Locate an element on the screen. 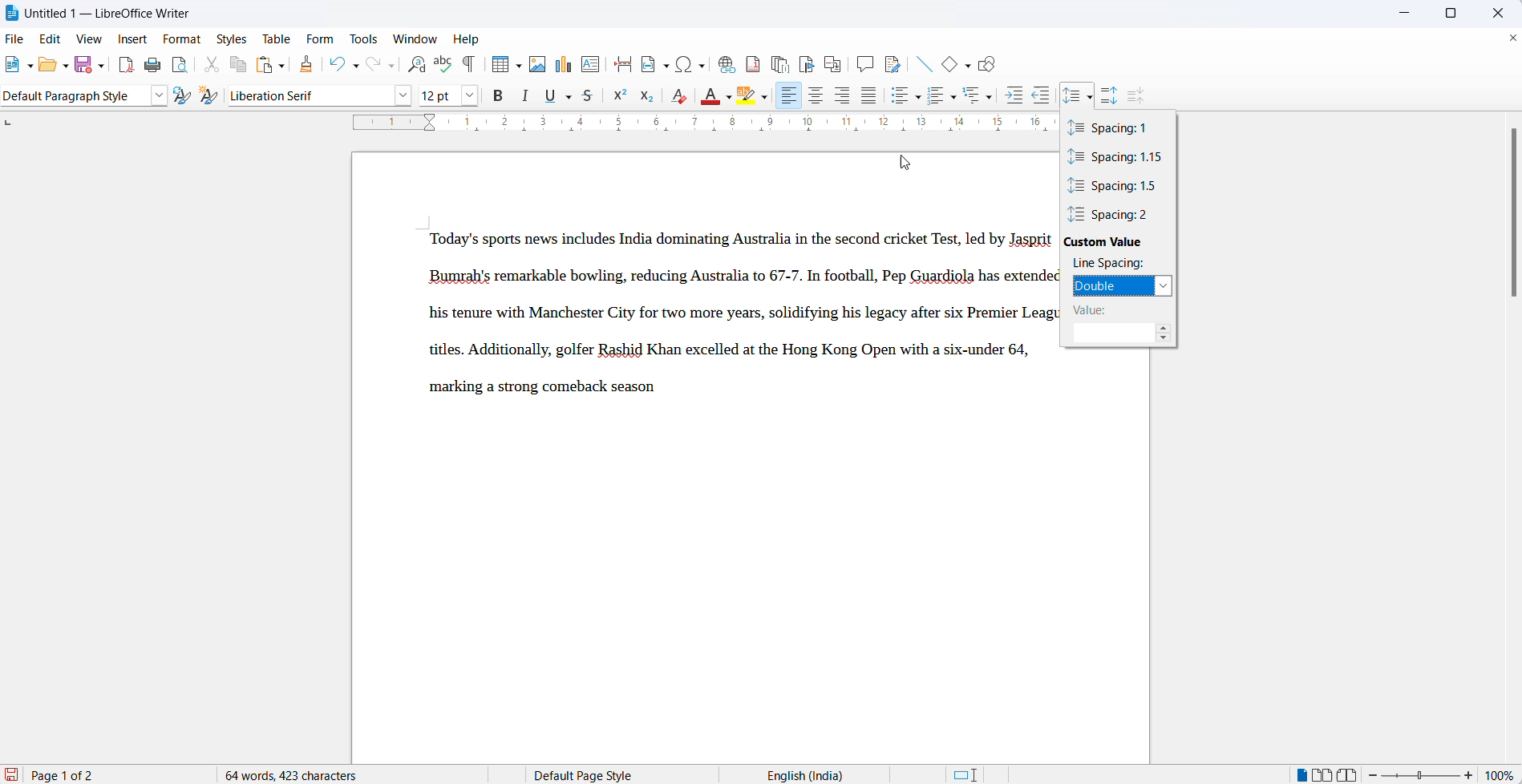 This screenshot has height=784, width=1522. styles is located at coordinates (233, 37).